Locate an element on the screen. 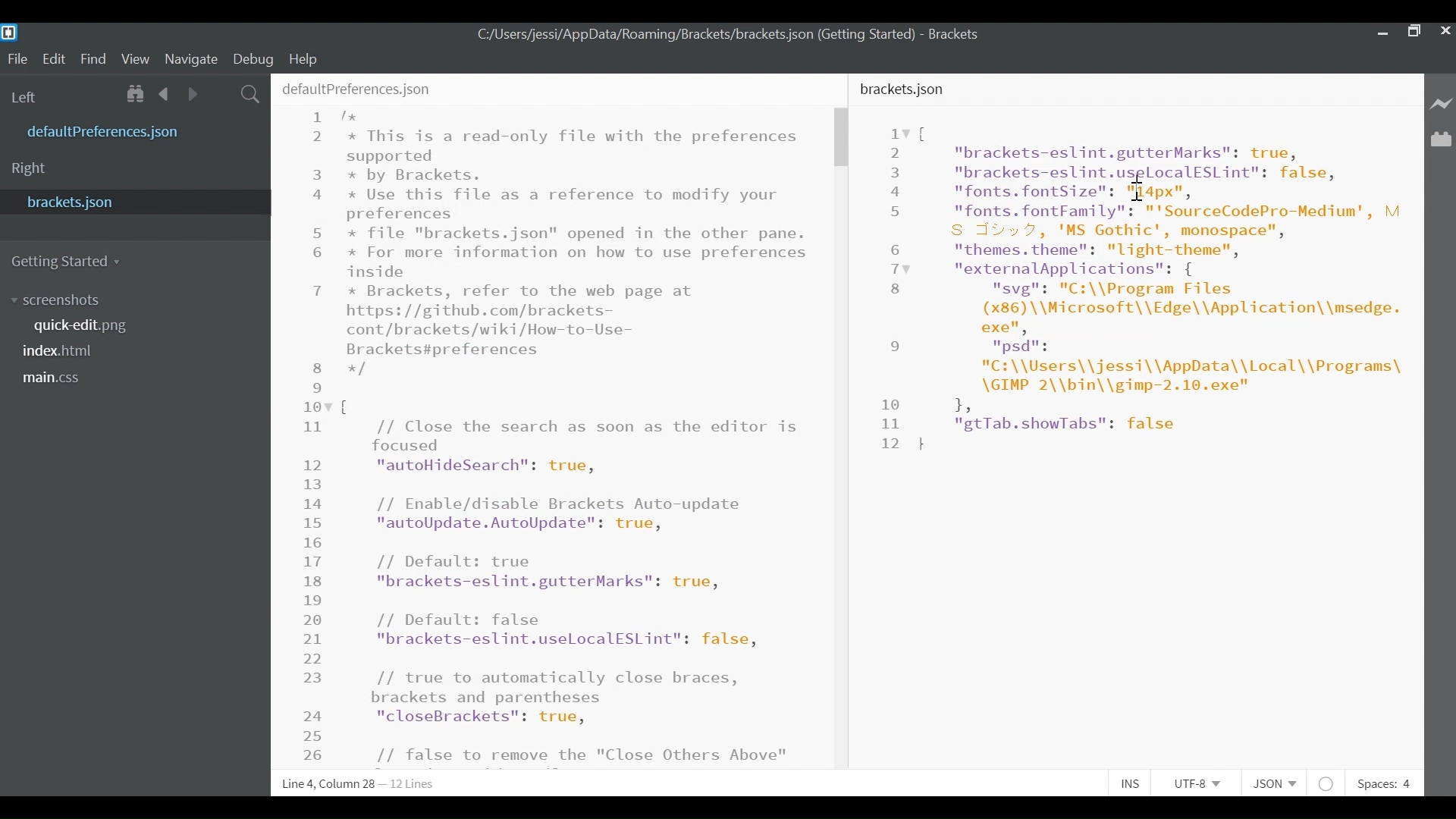 The height and width of the screenshot is (819, 1456). Navigate Back is located at coordinates (165, 93).